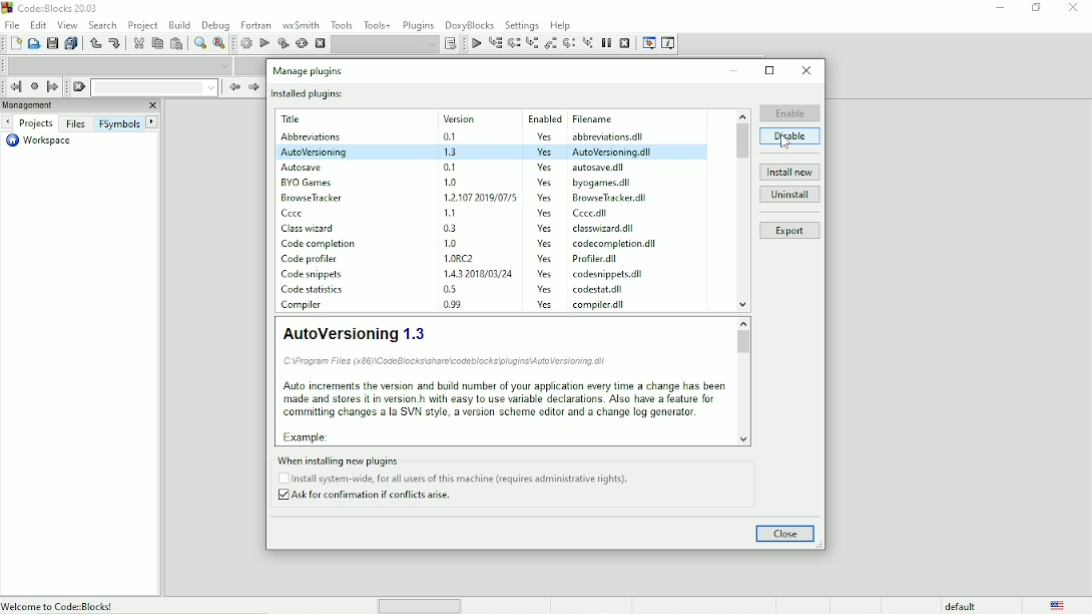 This screenshot has width=1092, height=614. Describe the element at coordinates (475, 44) in the screenshot. I see `Run to cursor` at that location.